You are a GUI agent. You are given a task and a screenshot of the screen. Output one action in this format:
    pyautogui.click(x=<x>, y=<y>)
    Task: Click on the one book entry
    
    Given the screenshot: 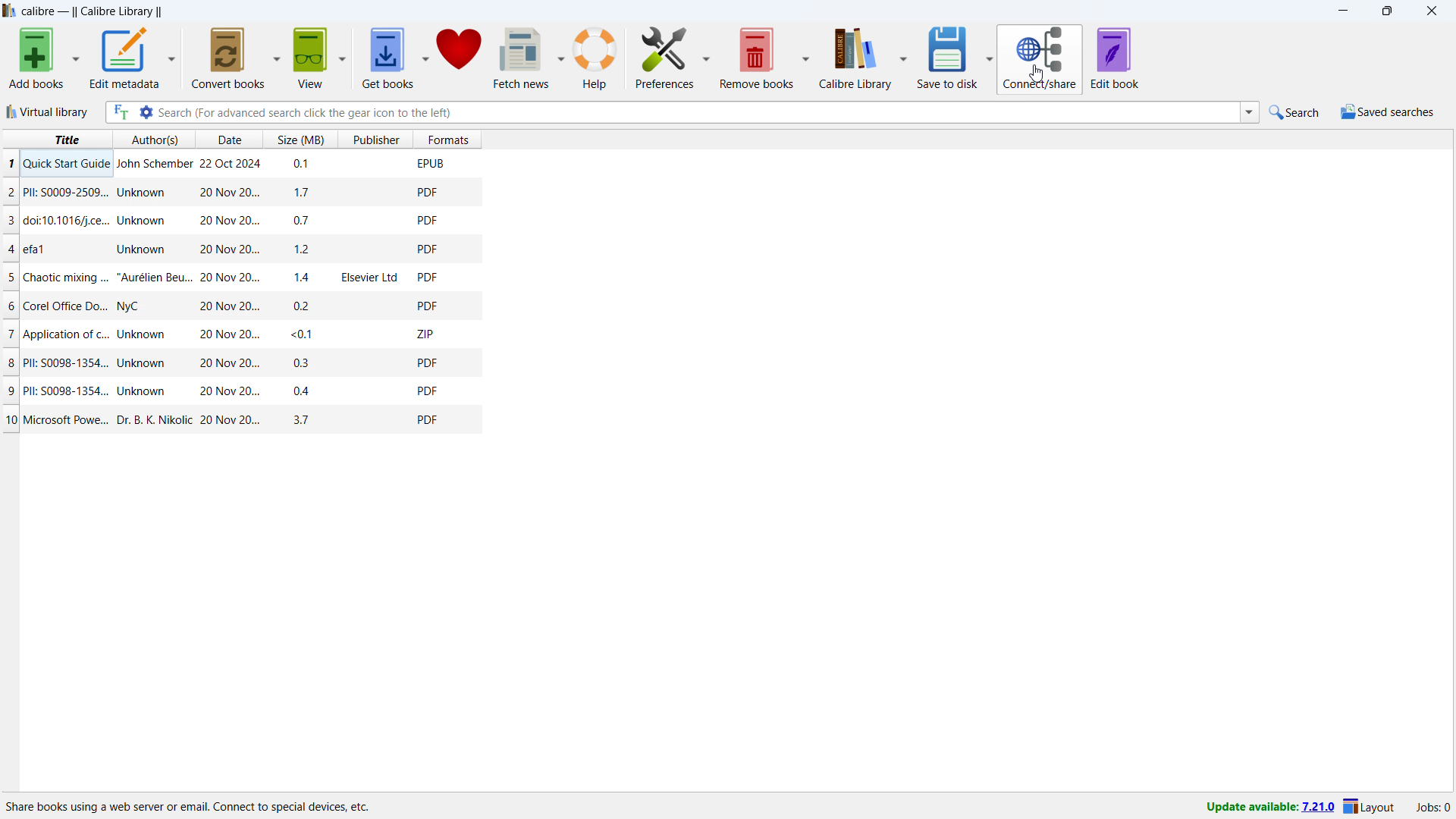 What is the action you would take?
    pyautogui.click(x=237, y=365)
    